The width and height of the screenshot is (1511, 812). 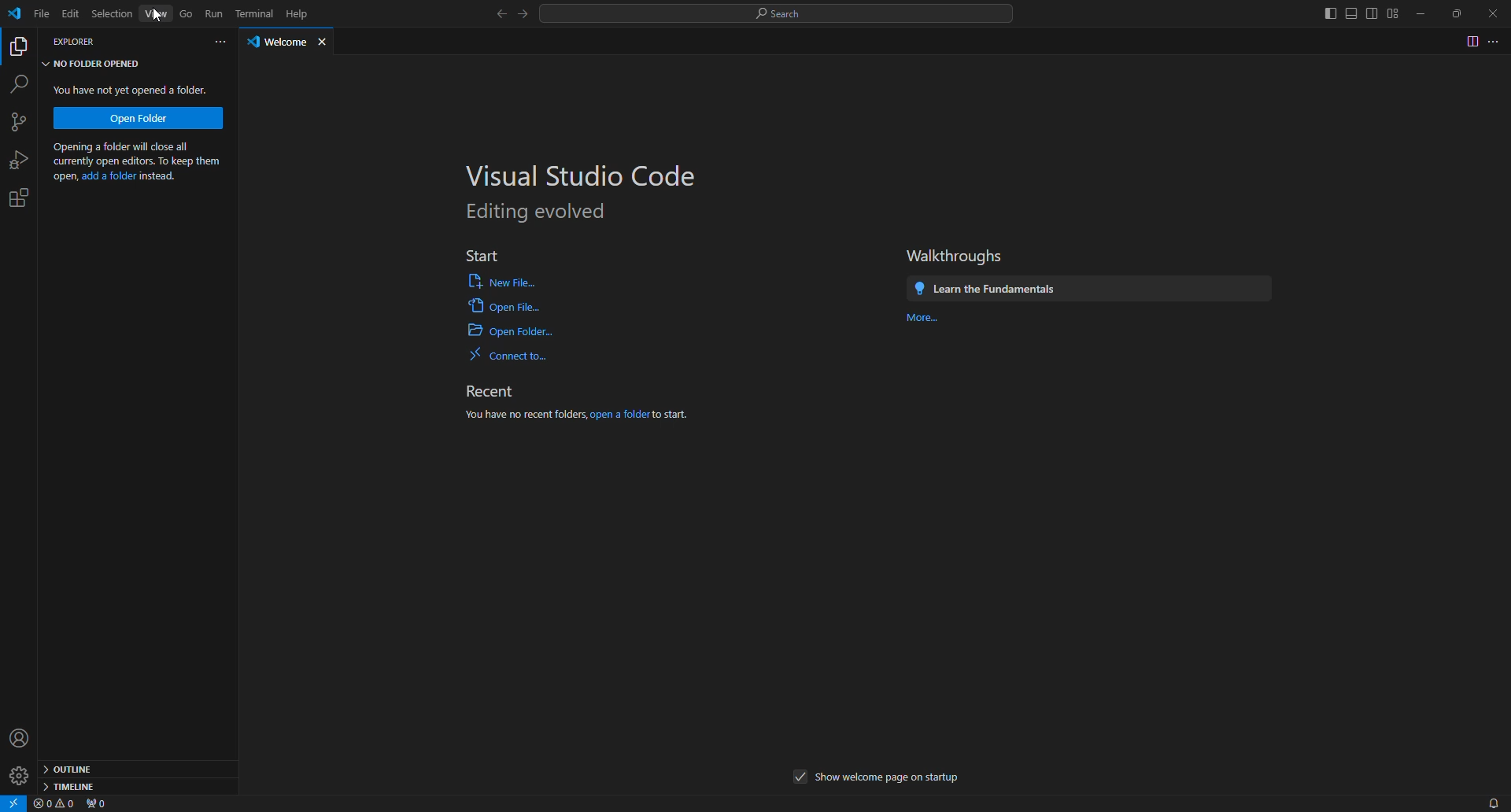 What do you see at coordinates (956, 255) in the screenshot?
I see `Walkthroughs` at bounding box center [956, 255].